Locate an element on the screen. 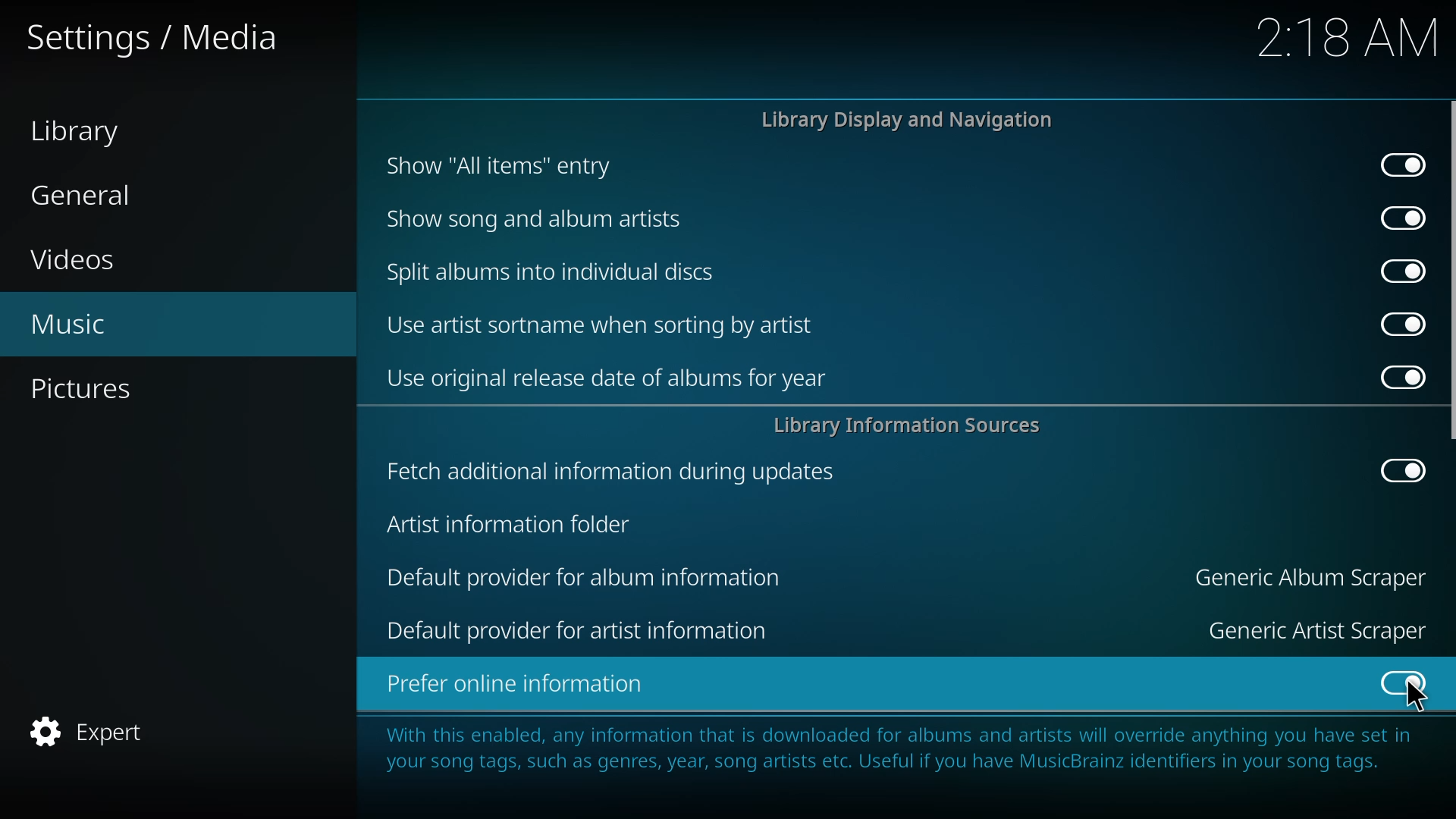  show song and album artists is located at coordinates (543, 218).